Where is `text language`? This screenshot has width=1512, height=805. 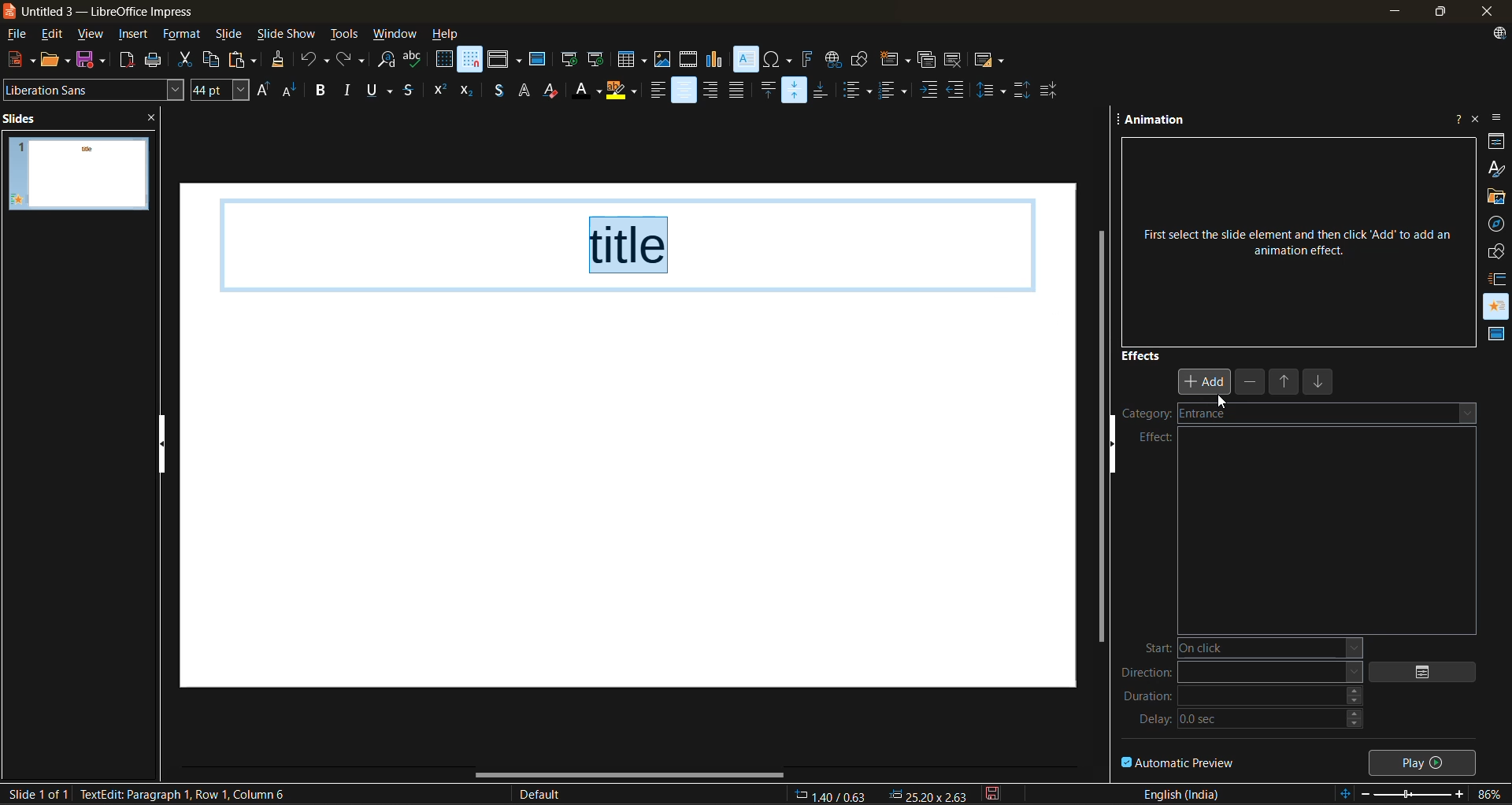
text language is located at coordinates (1182, 793).